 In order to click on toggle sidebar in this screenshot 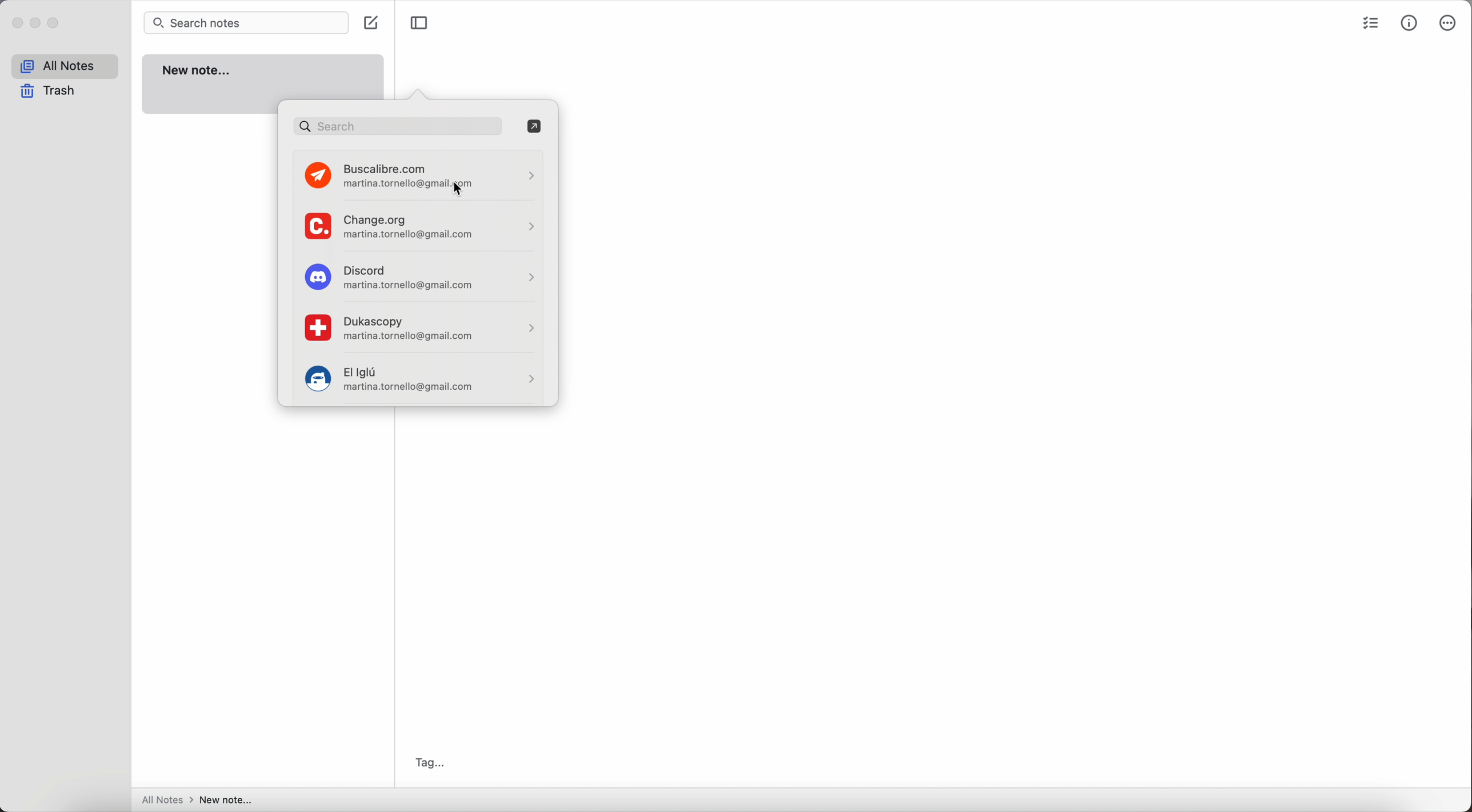, I will do `click(419, 23)`.